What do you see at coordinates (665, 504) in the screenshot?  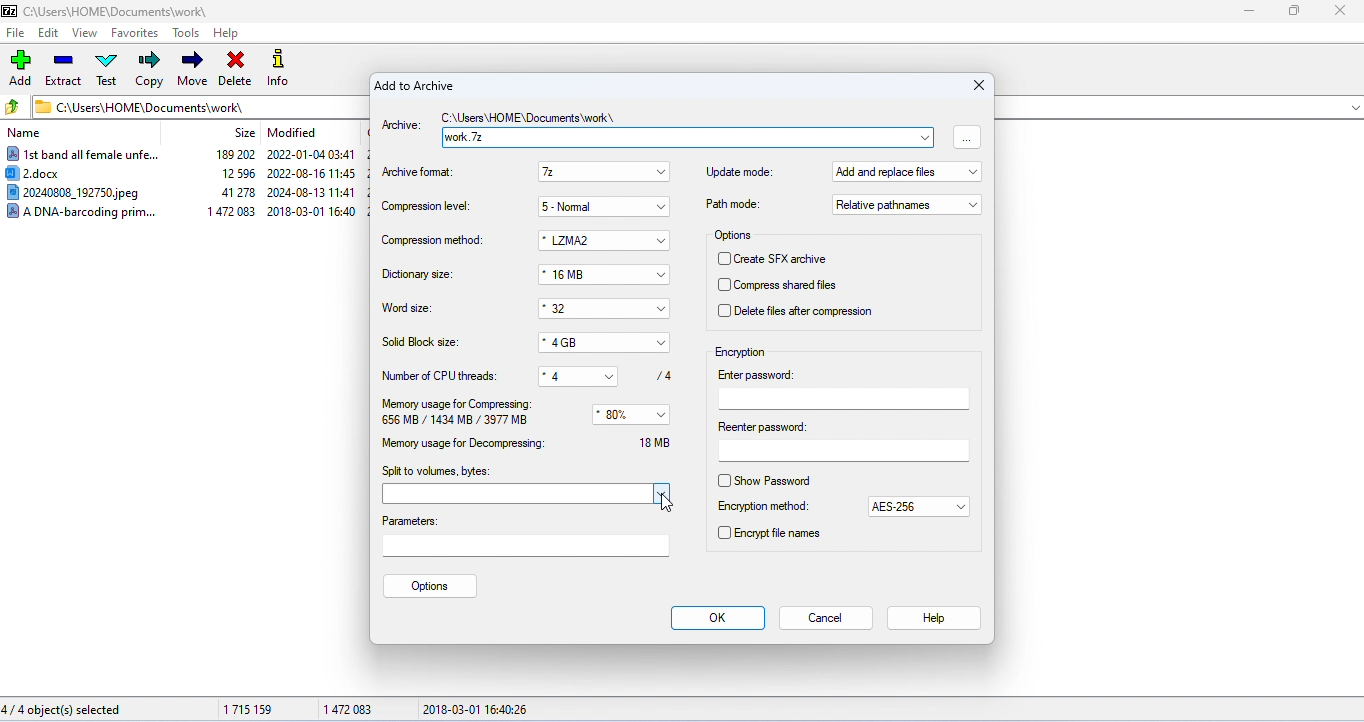 I see `cursor` at bounding box center [665, 504].